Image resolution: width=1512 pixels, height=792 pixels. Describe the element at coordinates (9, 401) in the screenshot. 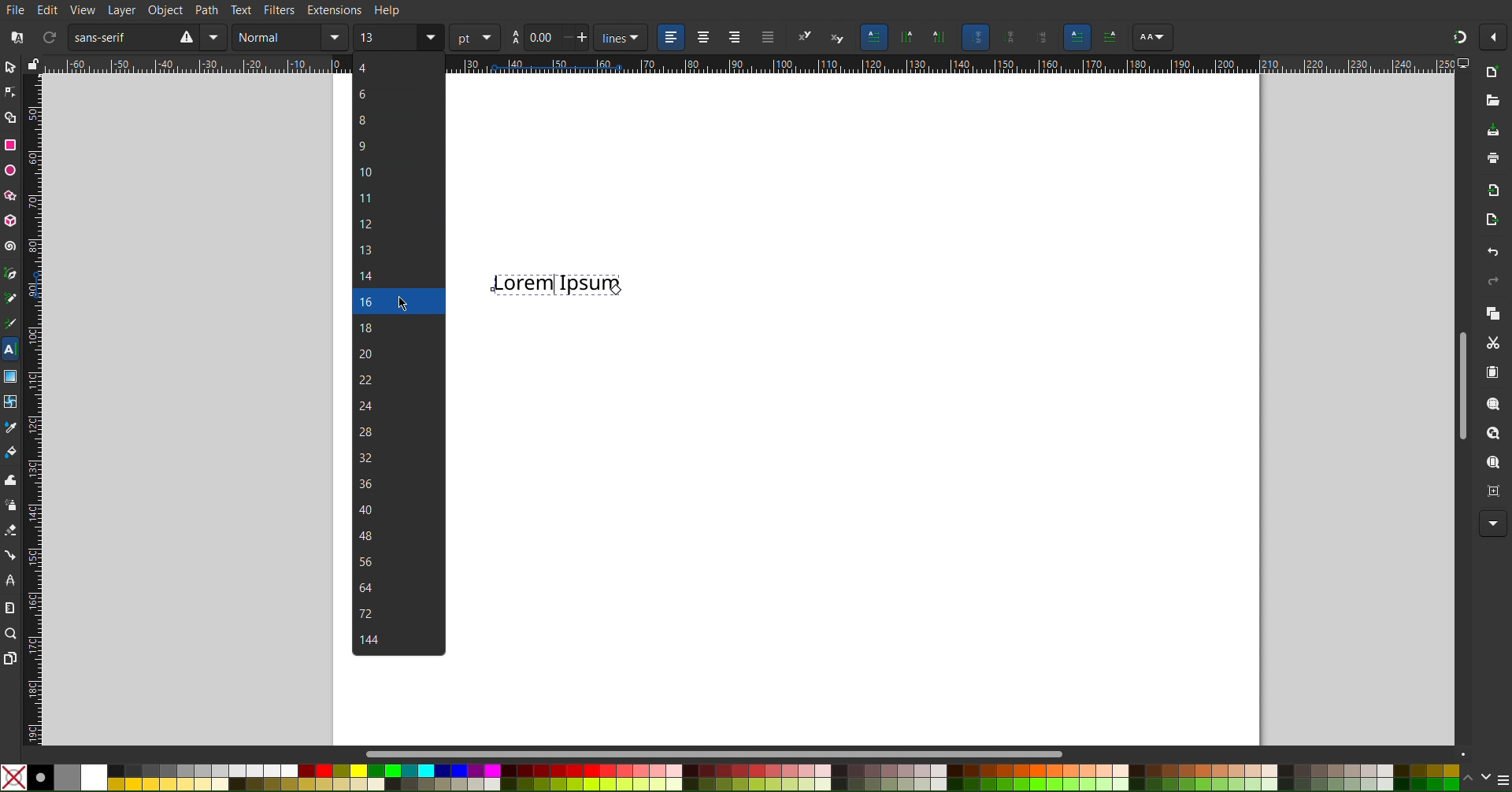

I see `Mesh Tool` at that location.